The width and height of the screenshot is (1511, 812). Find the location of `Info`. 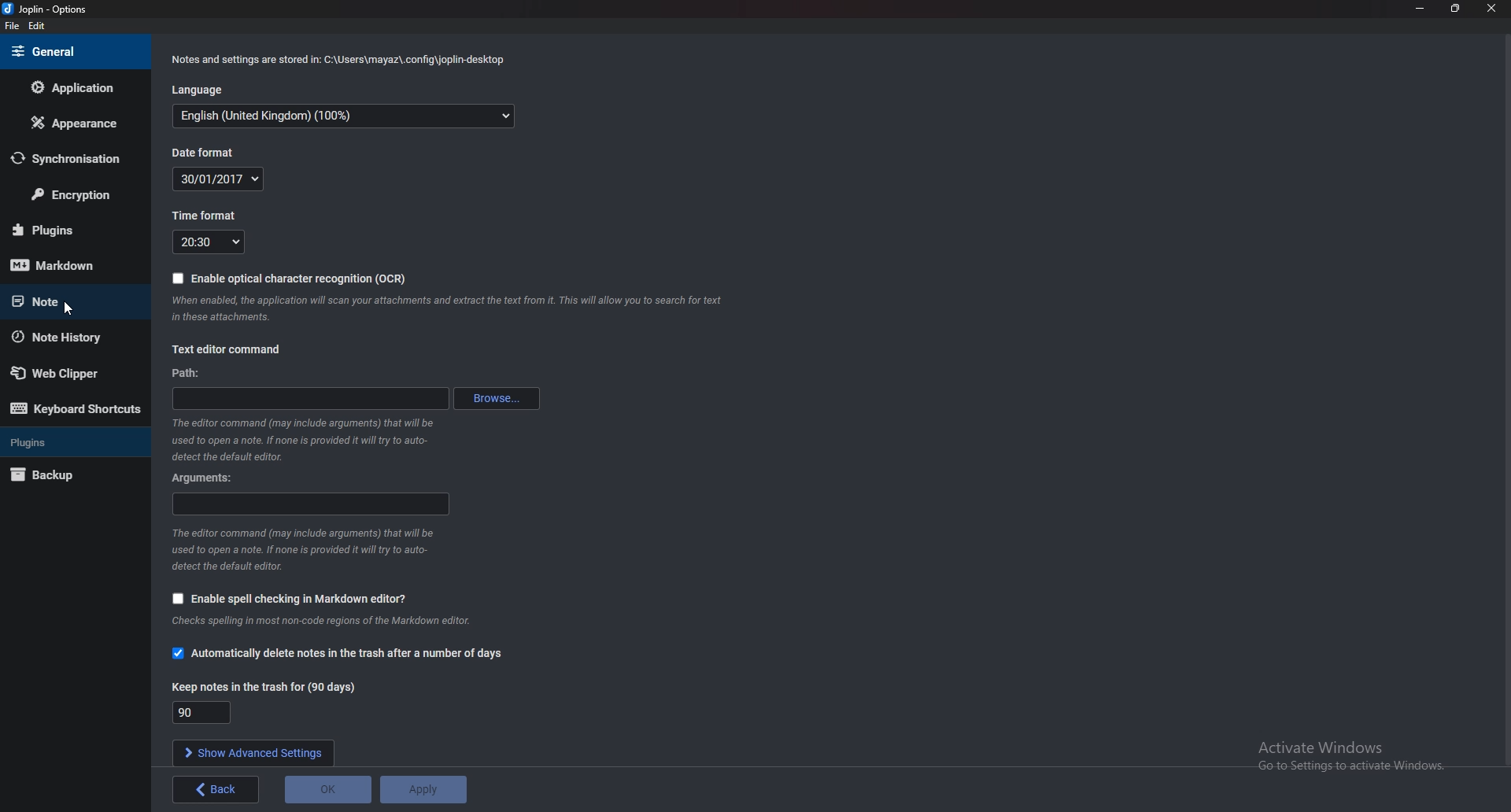

Info is located at coordinates (298, 549).